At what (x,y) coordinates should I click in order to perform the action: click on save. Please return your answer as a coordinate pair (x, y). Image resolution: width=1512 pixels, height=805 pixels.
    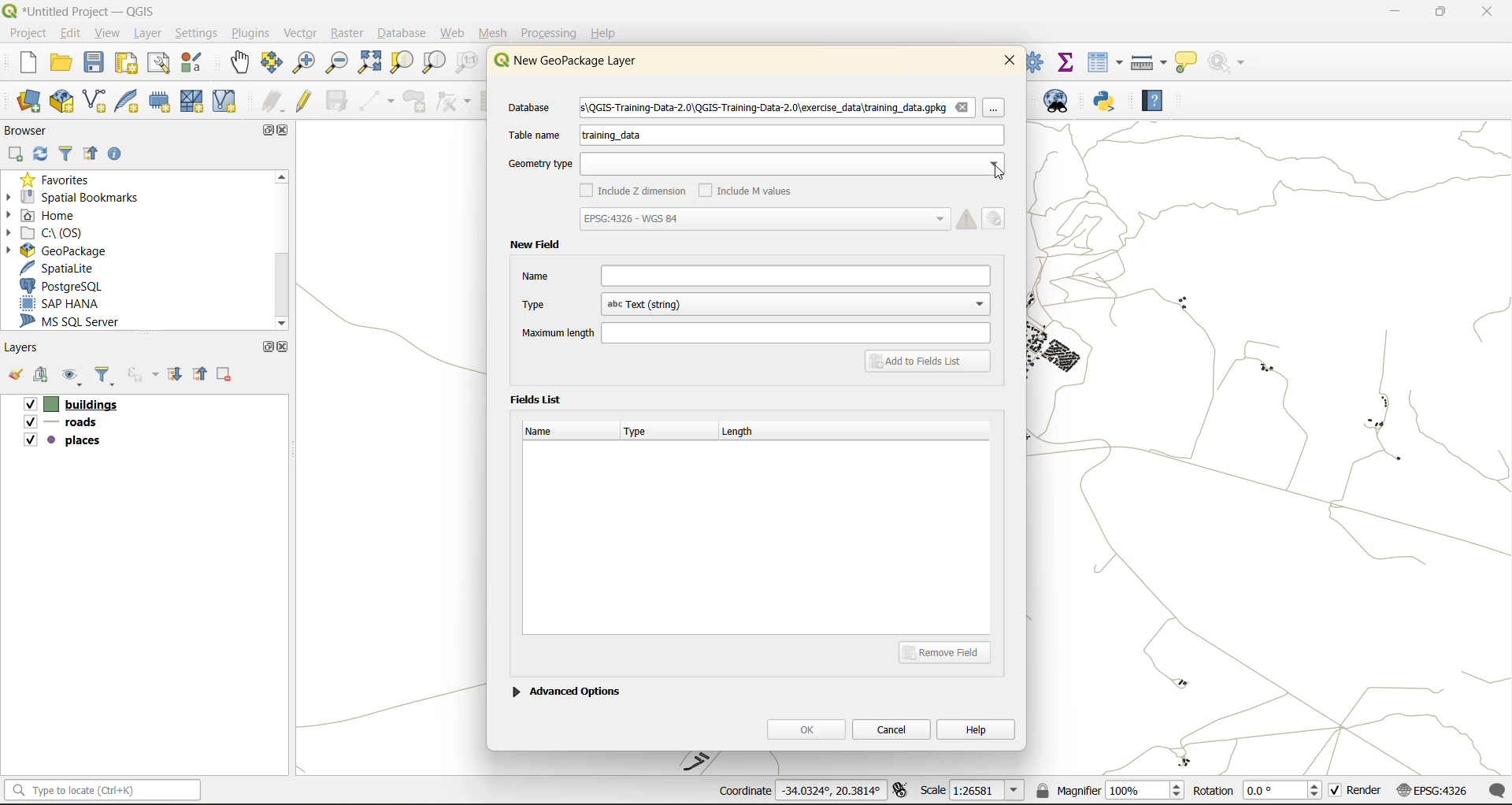
    Looking at the image, I should click on (95, 66).